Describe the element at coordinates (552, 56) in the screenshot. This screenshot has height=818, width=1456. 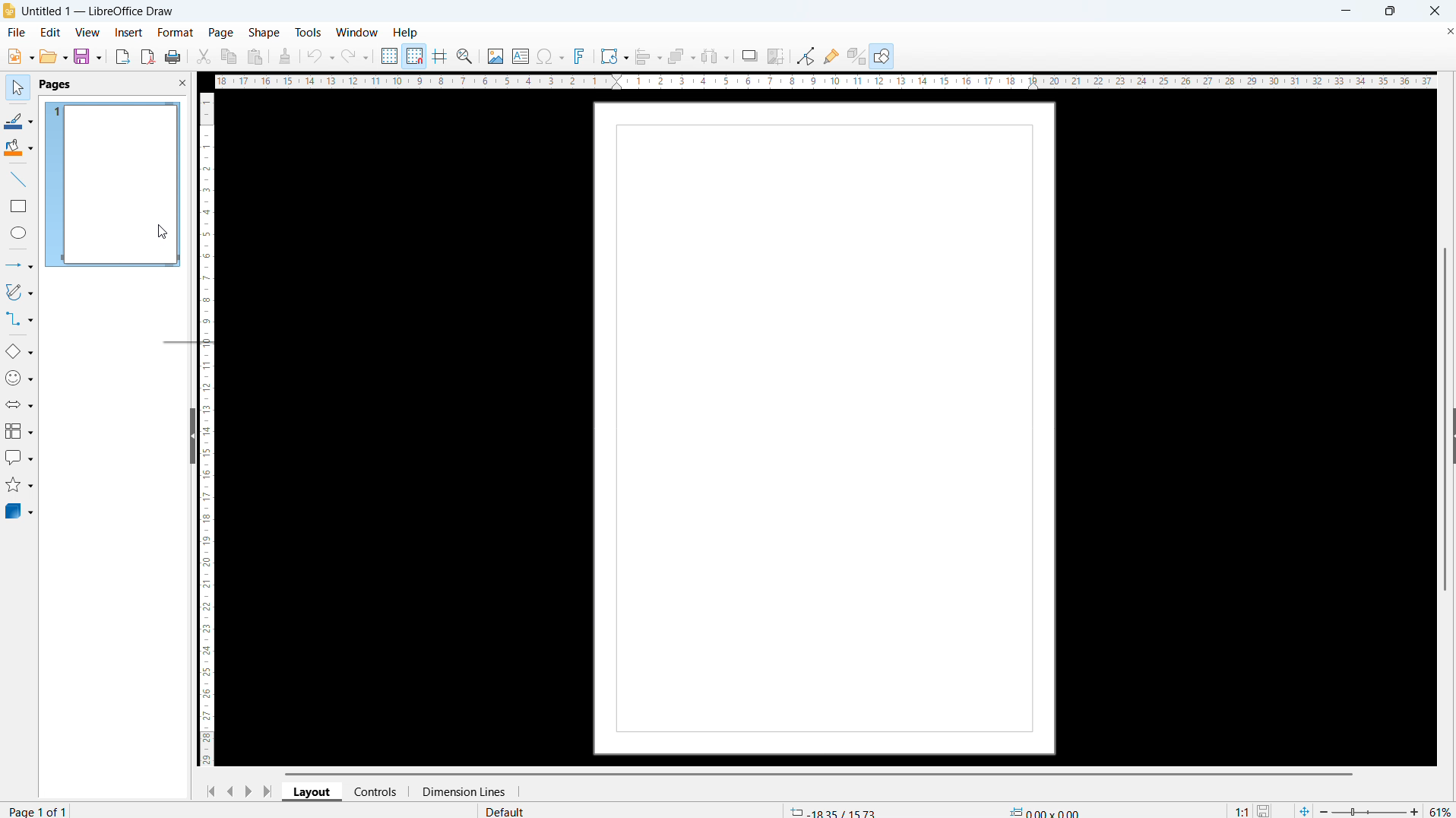
I see `Insert symbol ` at that location.